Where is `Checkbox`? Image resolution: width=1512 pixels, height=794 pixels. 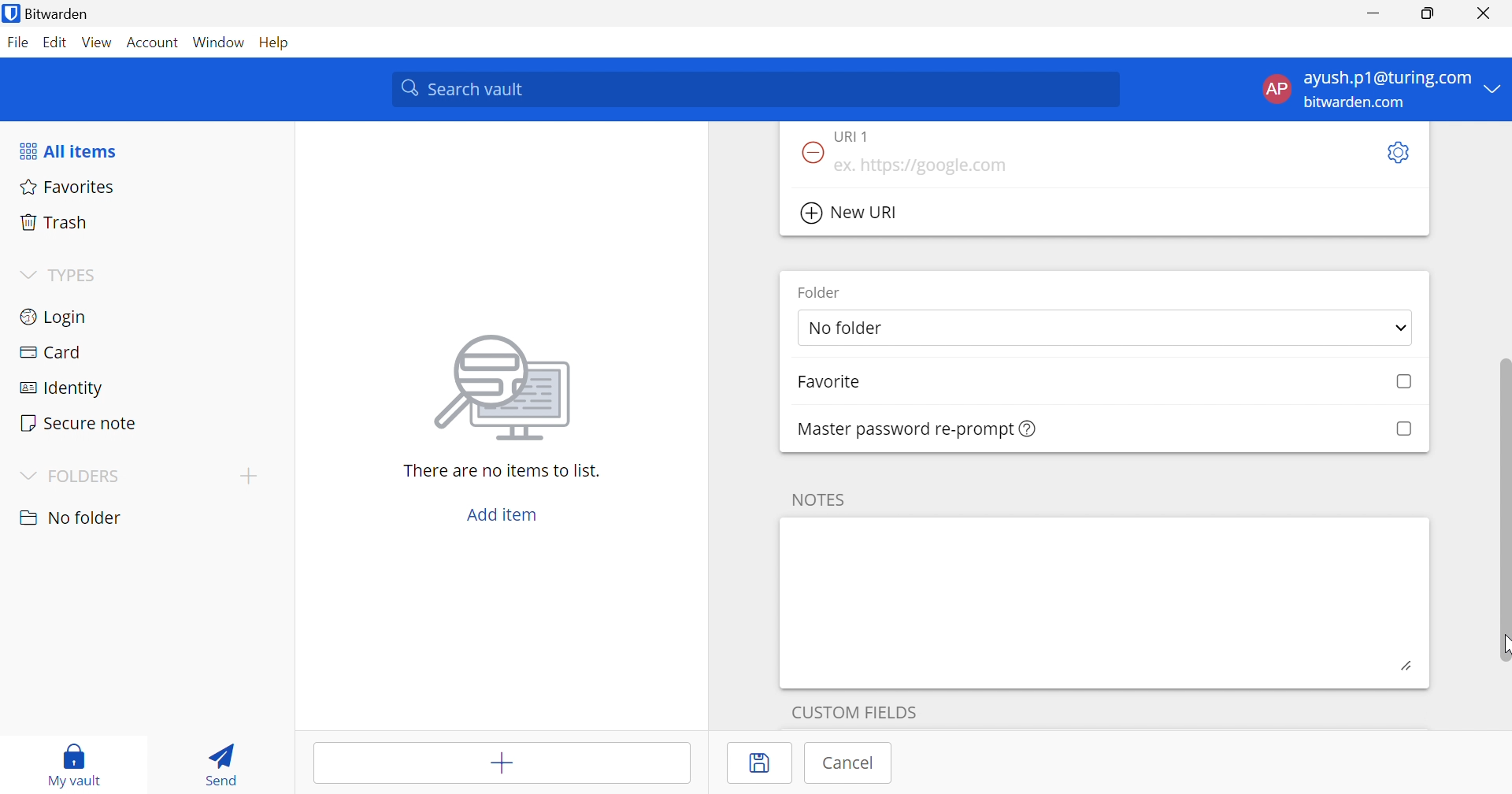 Checkbox is located at coordinates (1403, 429).